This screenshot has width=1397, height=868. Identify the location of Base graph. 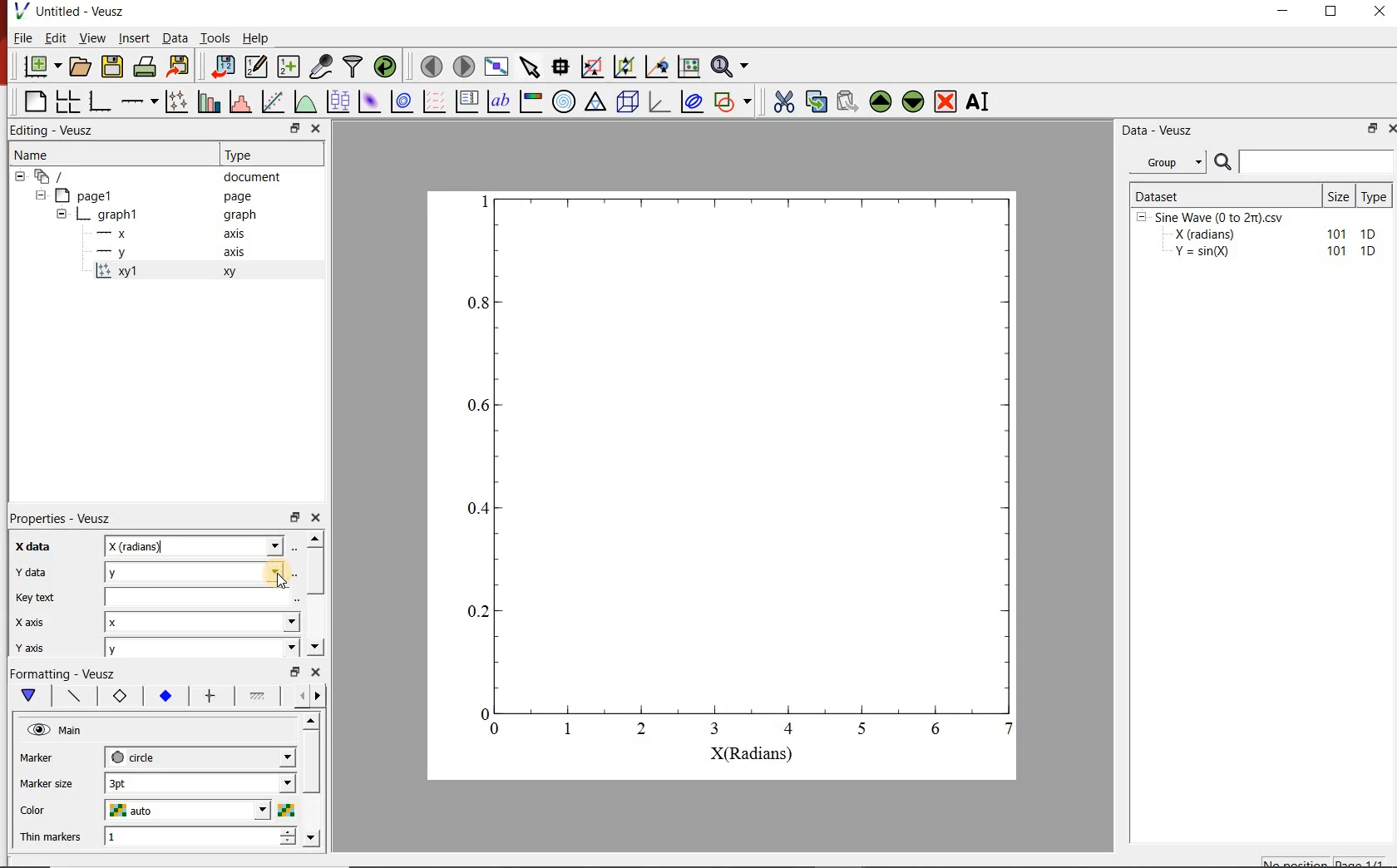
(101, 101).